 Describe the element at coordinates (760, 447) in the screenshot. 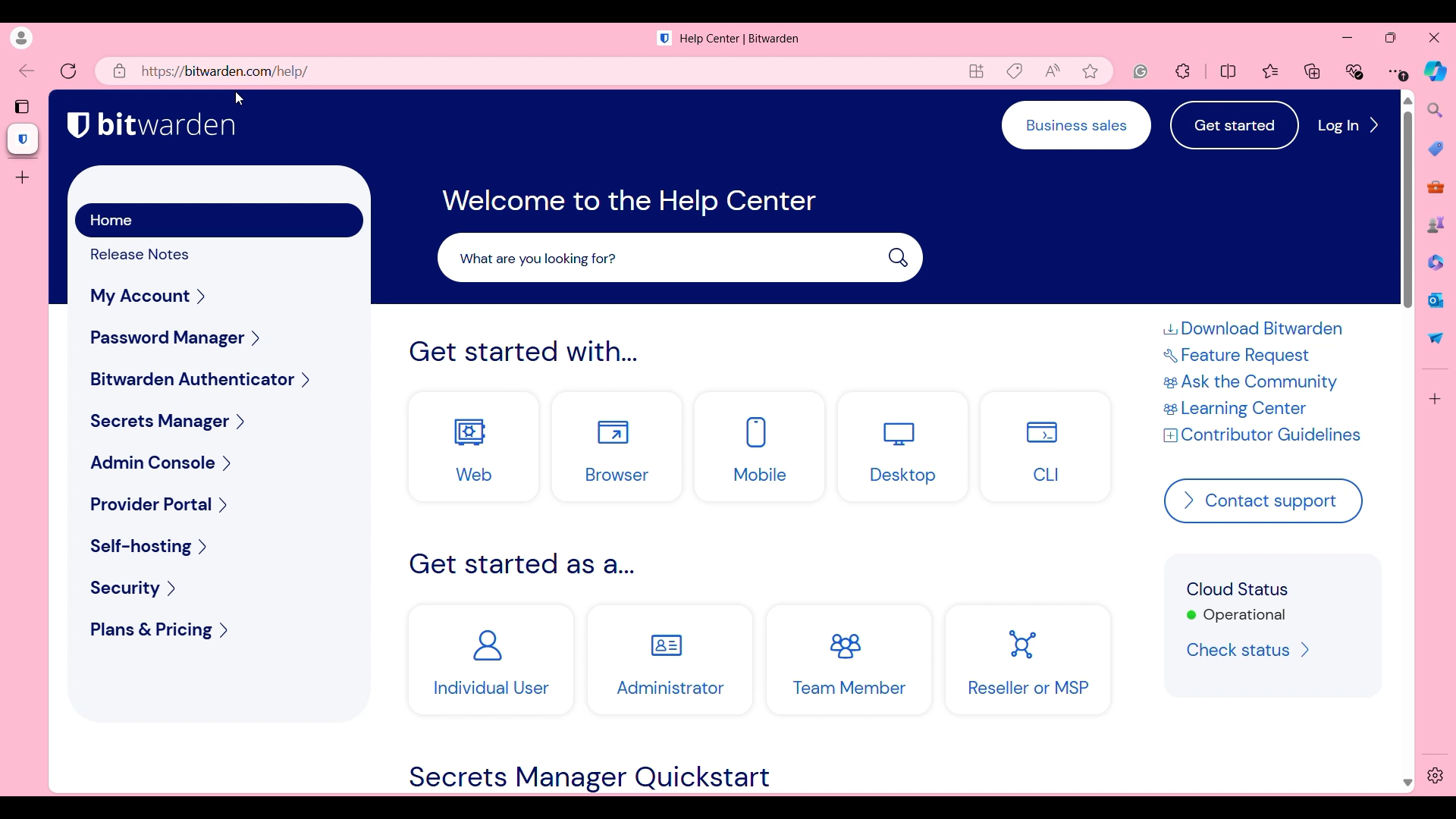

I see `Mobile` at that location.